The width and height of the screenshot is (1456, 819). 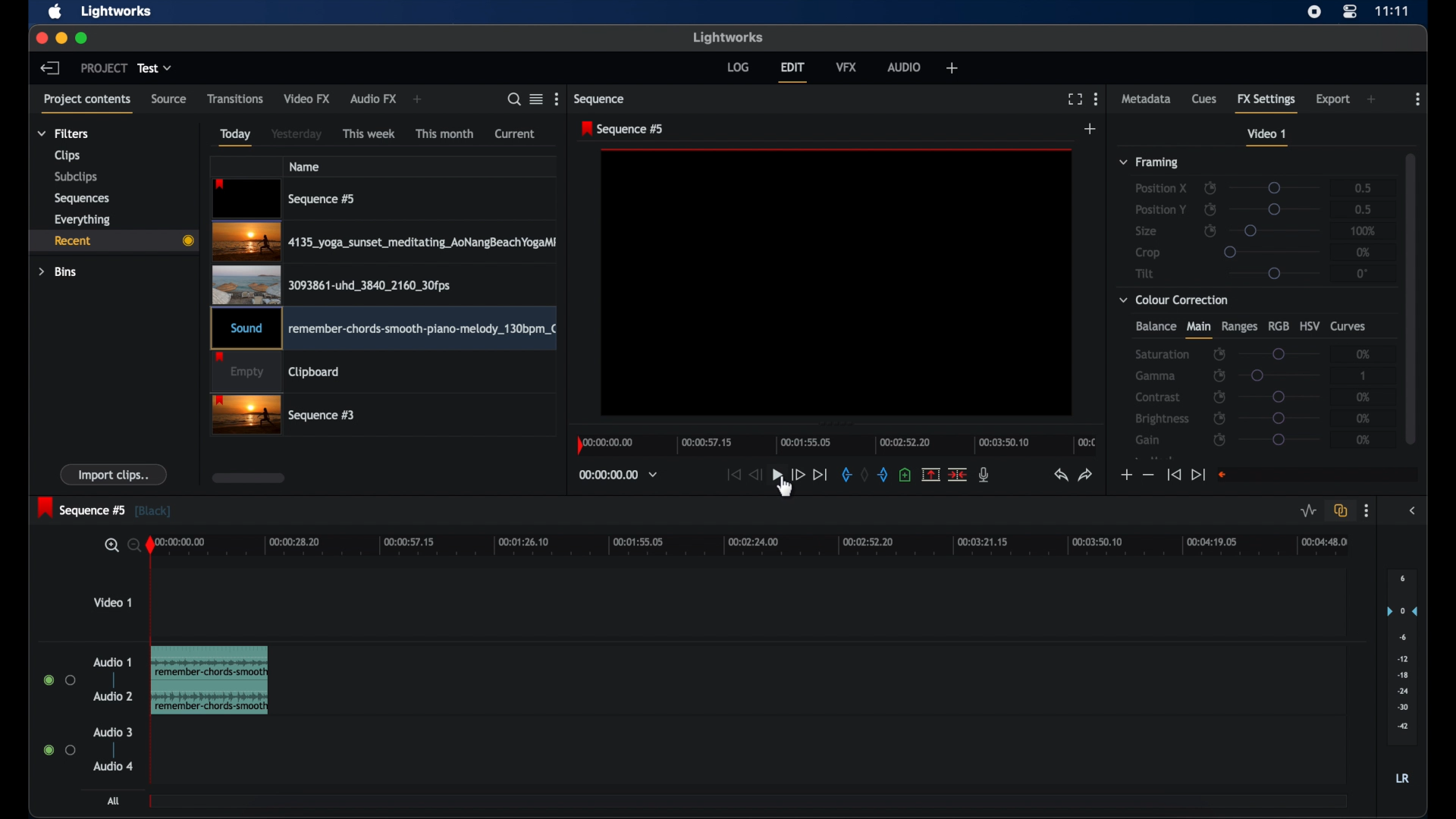 What do you see at coordinates (1161, 189) in the screenshot?
I see `position x` at bounding box center [1161, 189].